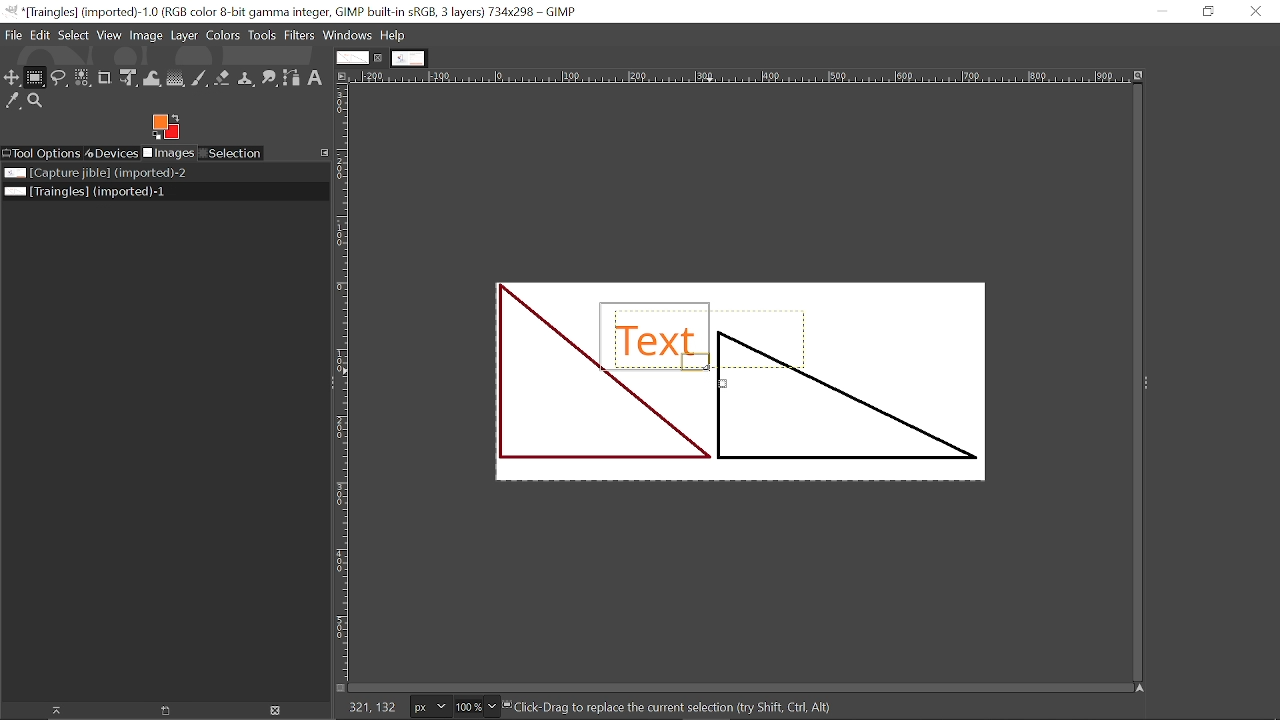 The width and height of the screenshot is (1280, 720). I want to click on Access this image menu, so click(344, 77).